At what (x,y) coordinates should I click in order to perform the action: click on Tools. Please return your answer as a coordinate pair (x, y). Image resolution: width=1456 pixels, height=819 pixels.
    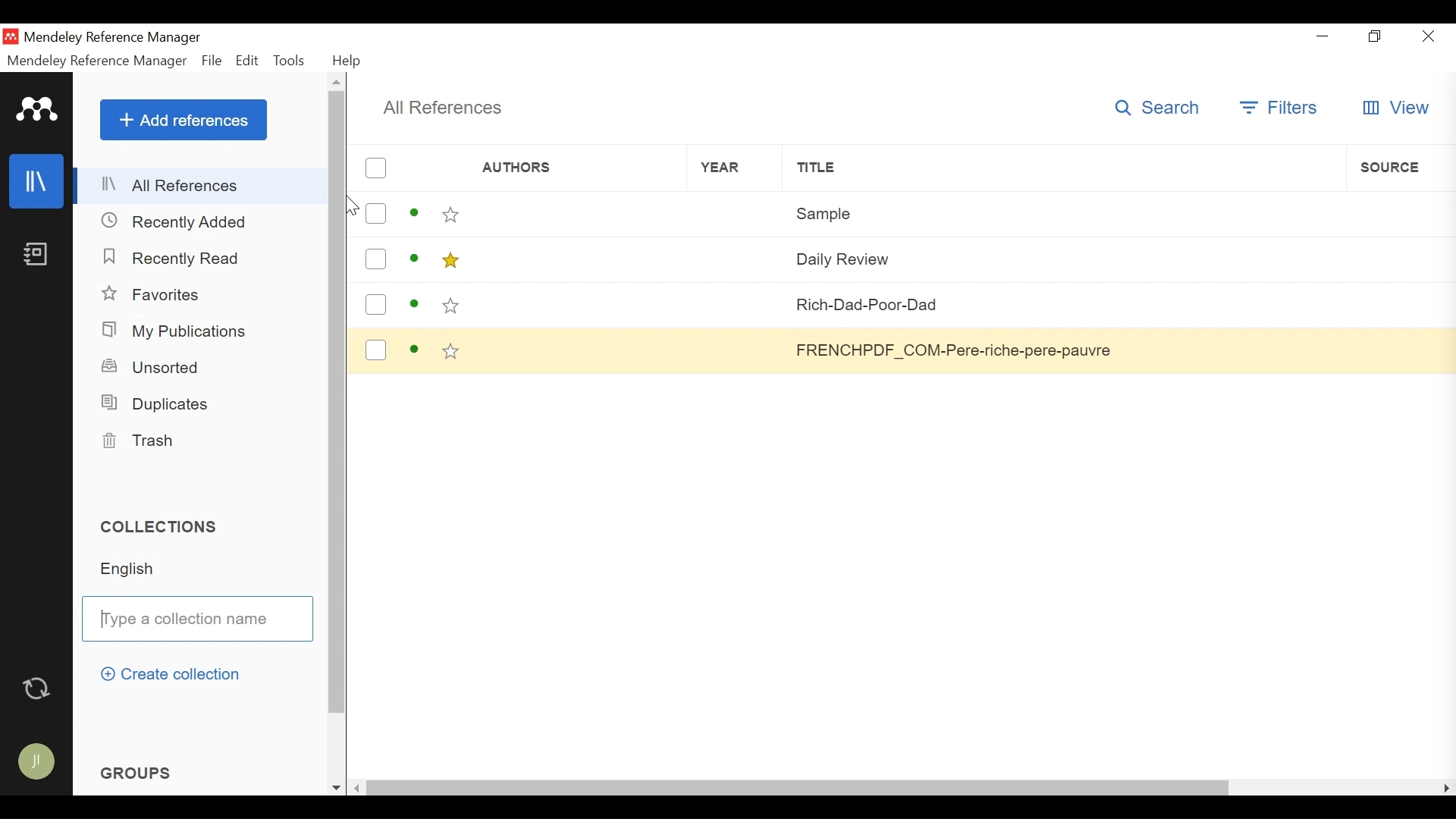
    Looking at the image, I should click on (292, 60).